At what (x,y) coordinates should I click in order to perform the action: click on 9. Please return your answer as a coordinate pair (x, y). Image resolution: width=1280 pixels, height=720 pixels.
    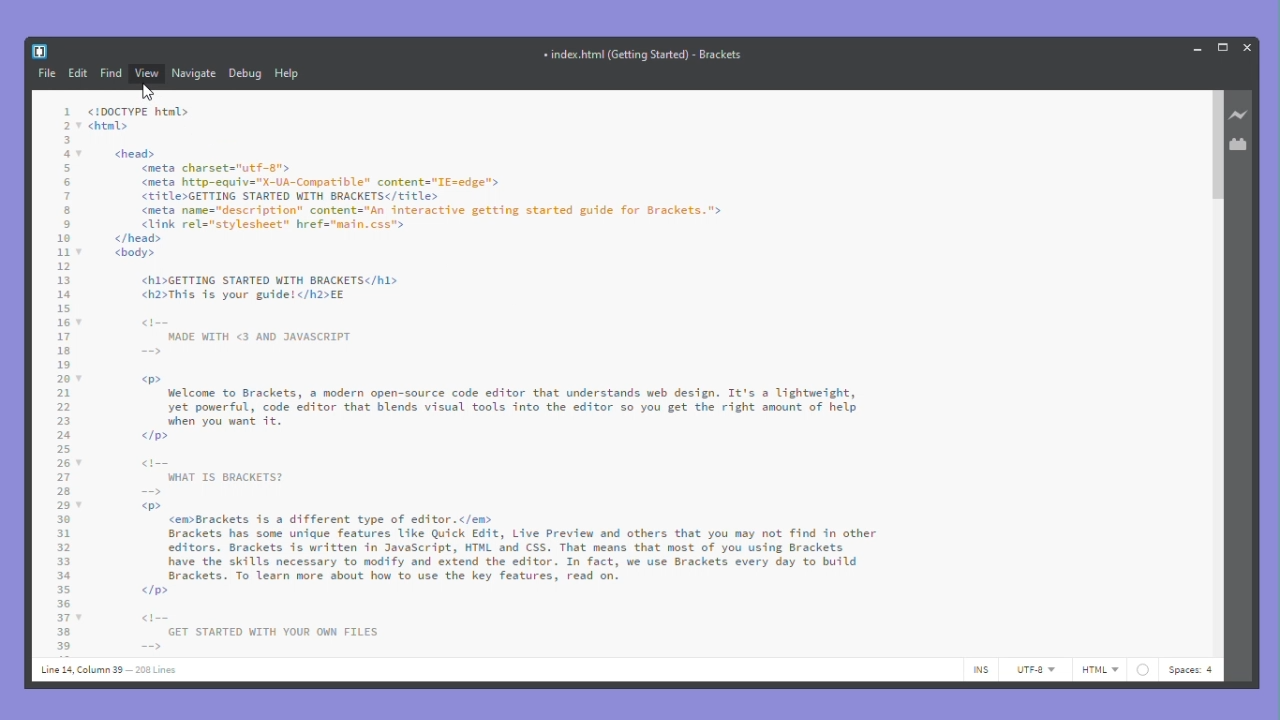
    Looking at the image, I should click on (67, 223).